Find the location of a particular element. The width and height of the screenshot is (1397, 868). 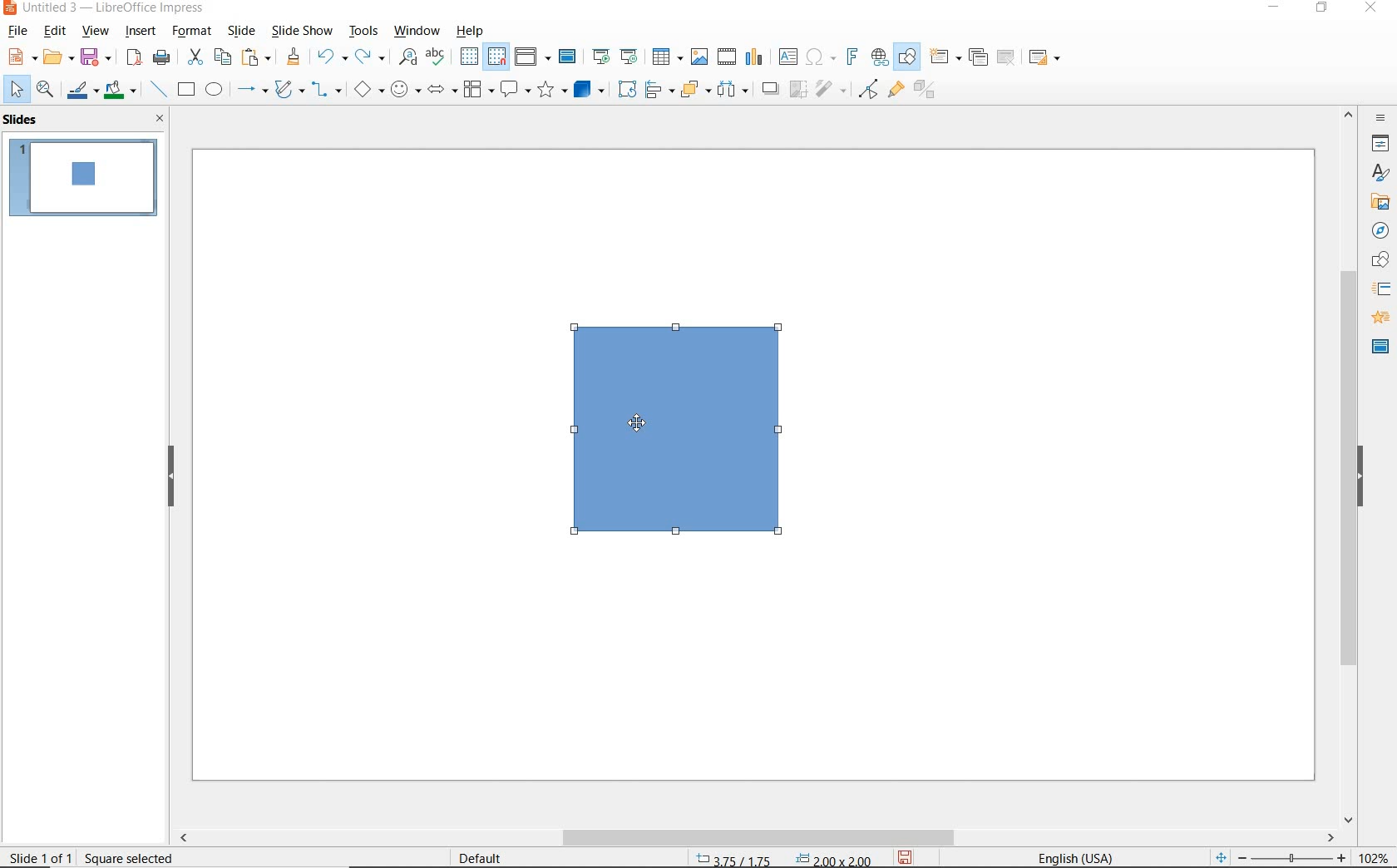

delete slide is located at coordinates (1009, 57).